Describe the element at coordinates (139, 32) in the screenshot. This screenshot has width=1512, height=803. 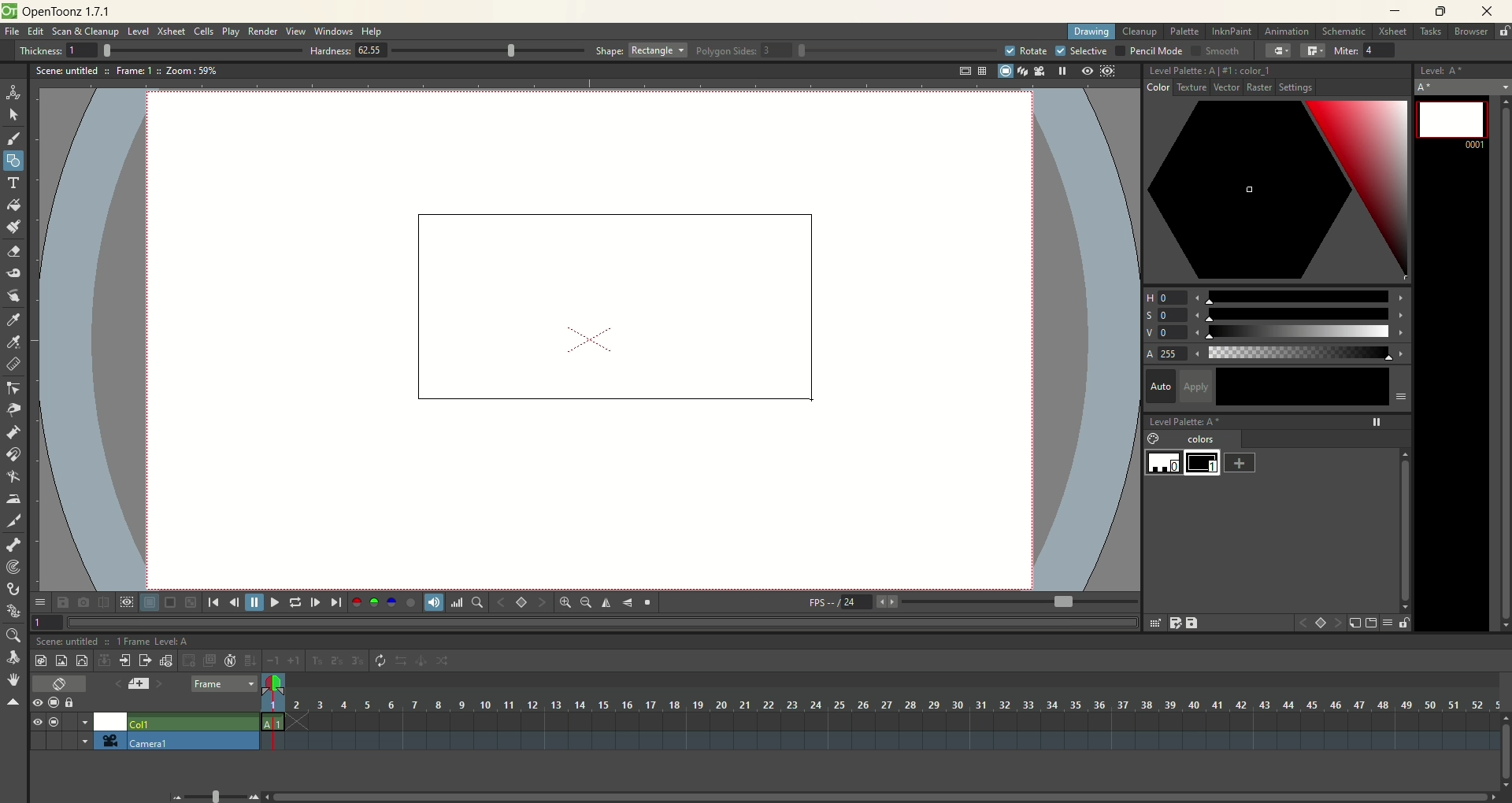
I see `level` at that location.